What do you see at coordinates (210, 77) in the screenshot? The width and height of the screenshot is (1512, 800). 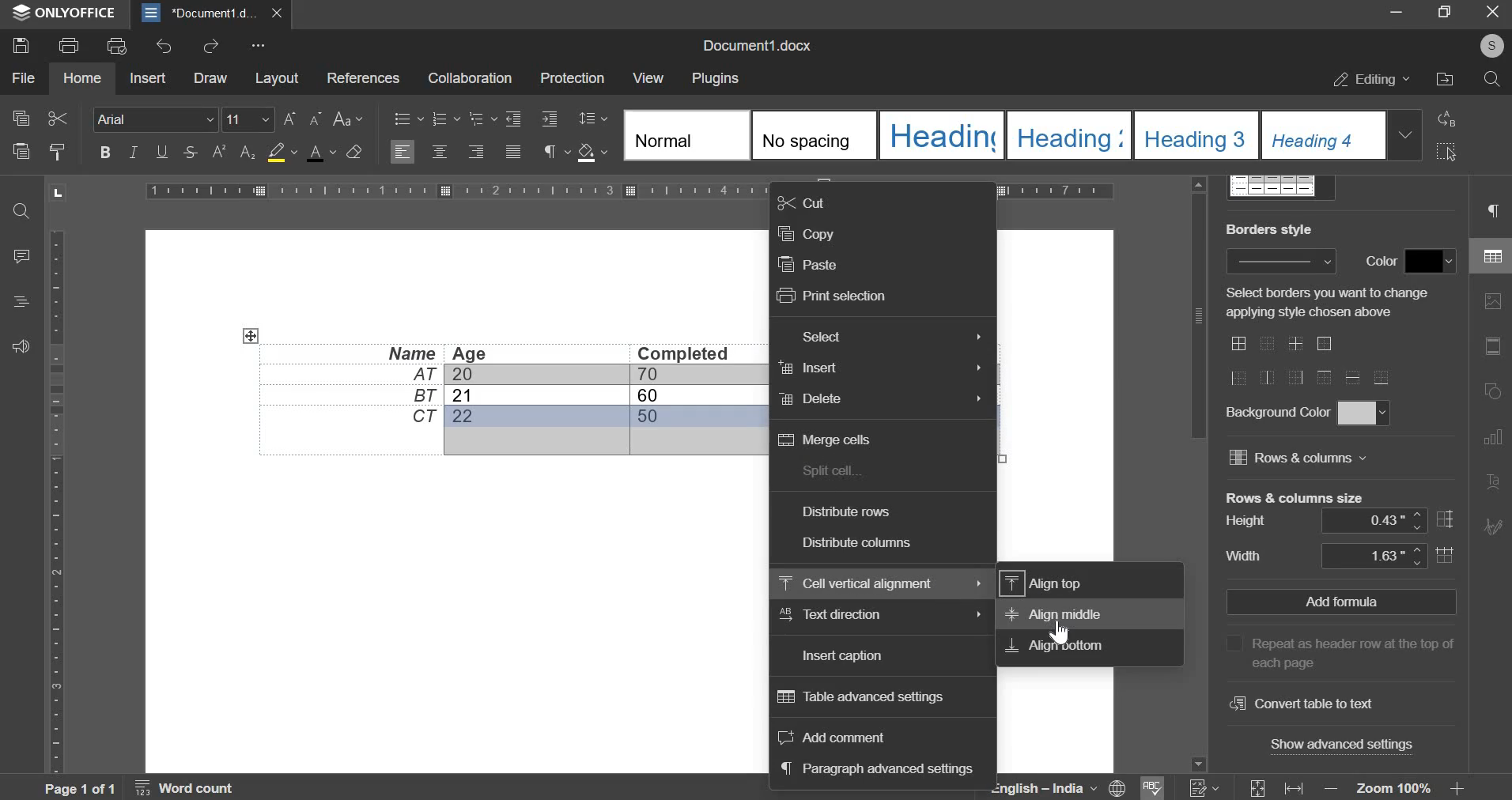 I see `draw` at bounding box center [210, 77].